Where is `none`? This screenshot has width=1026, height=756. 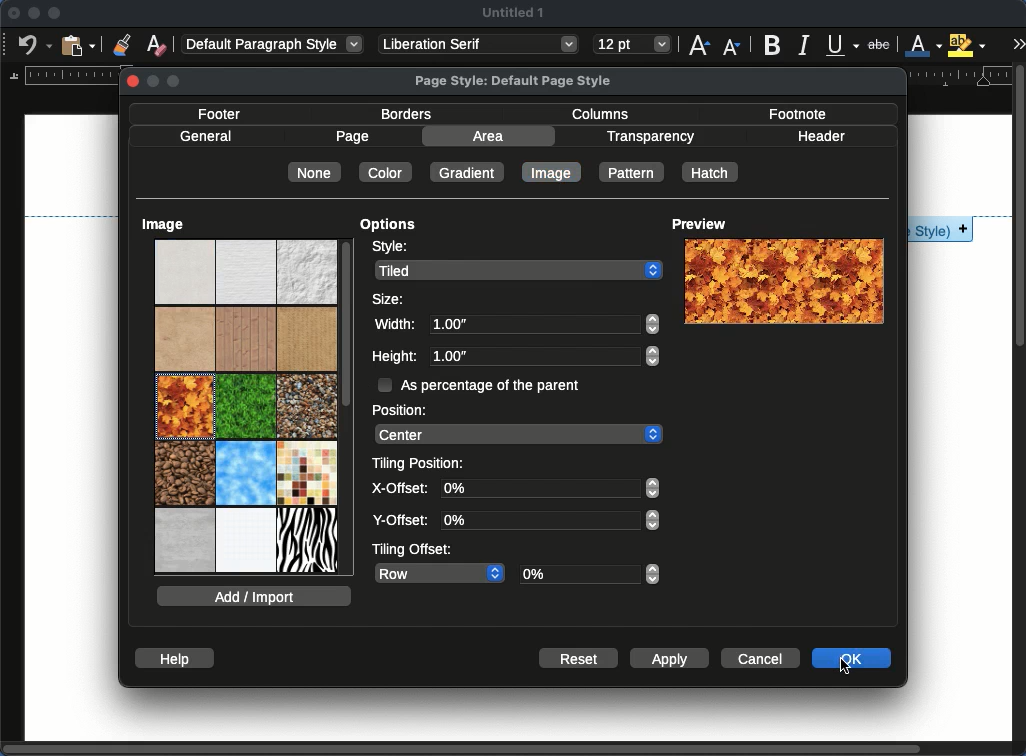
none is located at coordinates (317, 171).